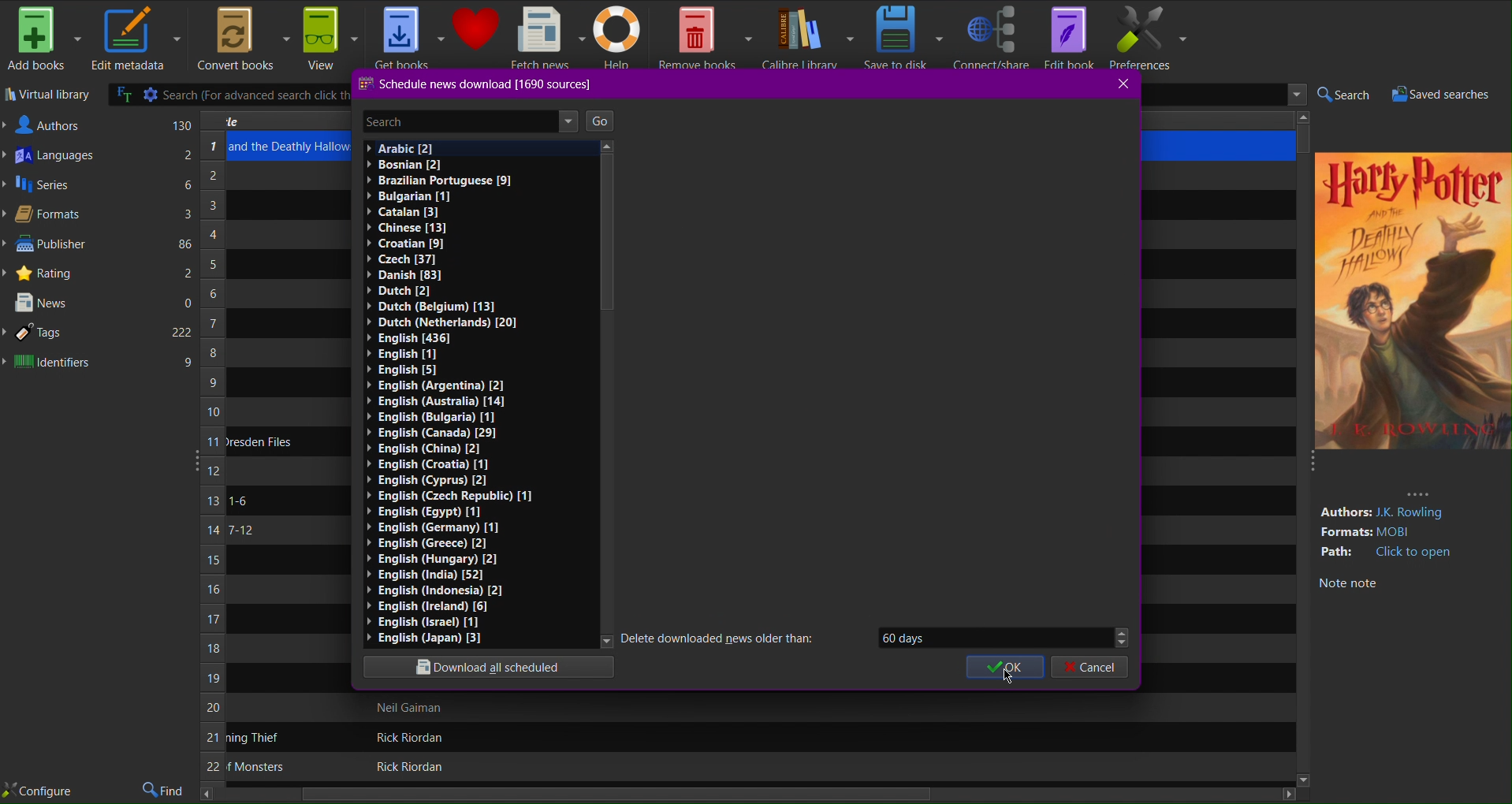  What do you see at coordinates (47, 96) in the screenshot?
I see `Virtual Library` at bounding box center [47, 96].